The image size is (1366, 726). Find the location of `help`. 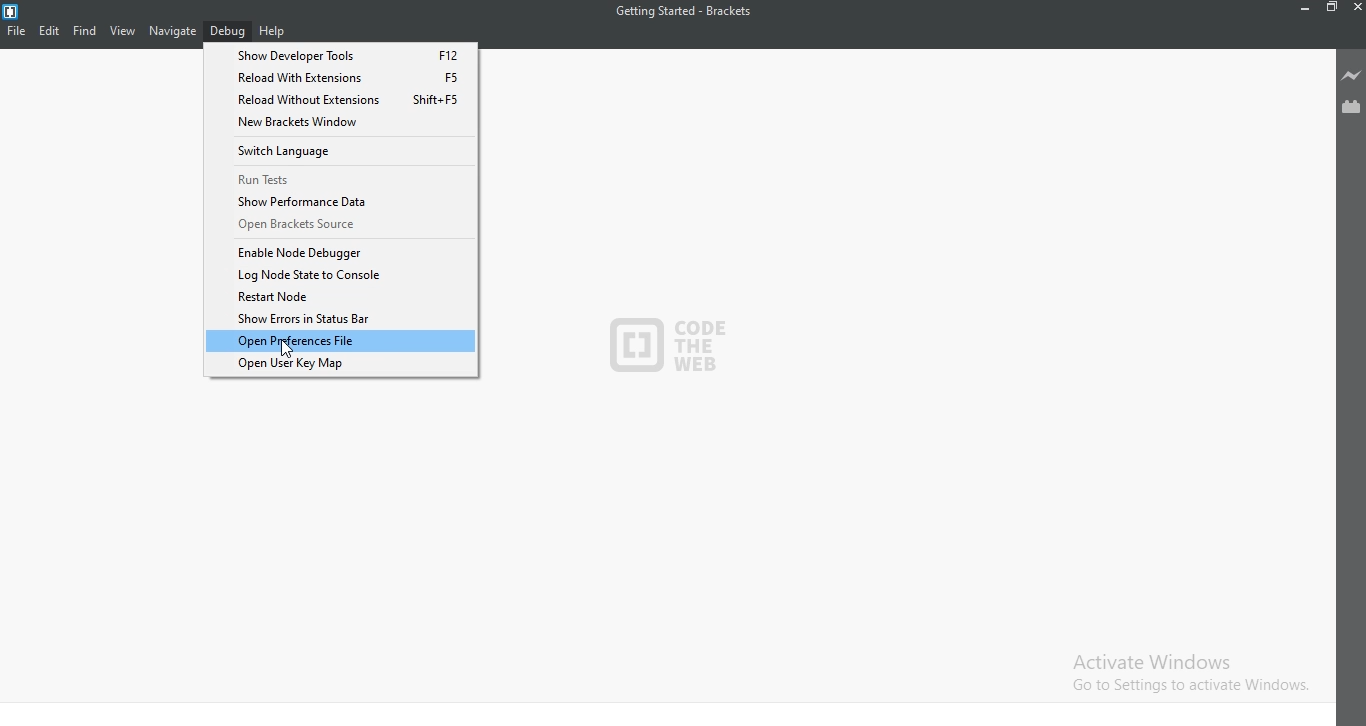

help is located at coordinates (272, 32).